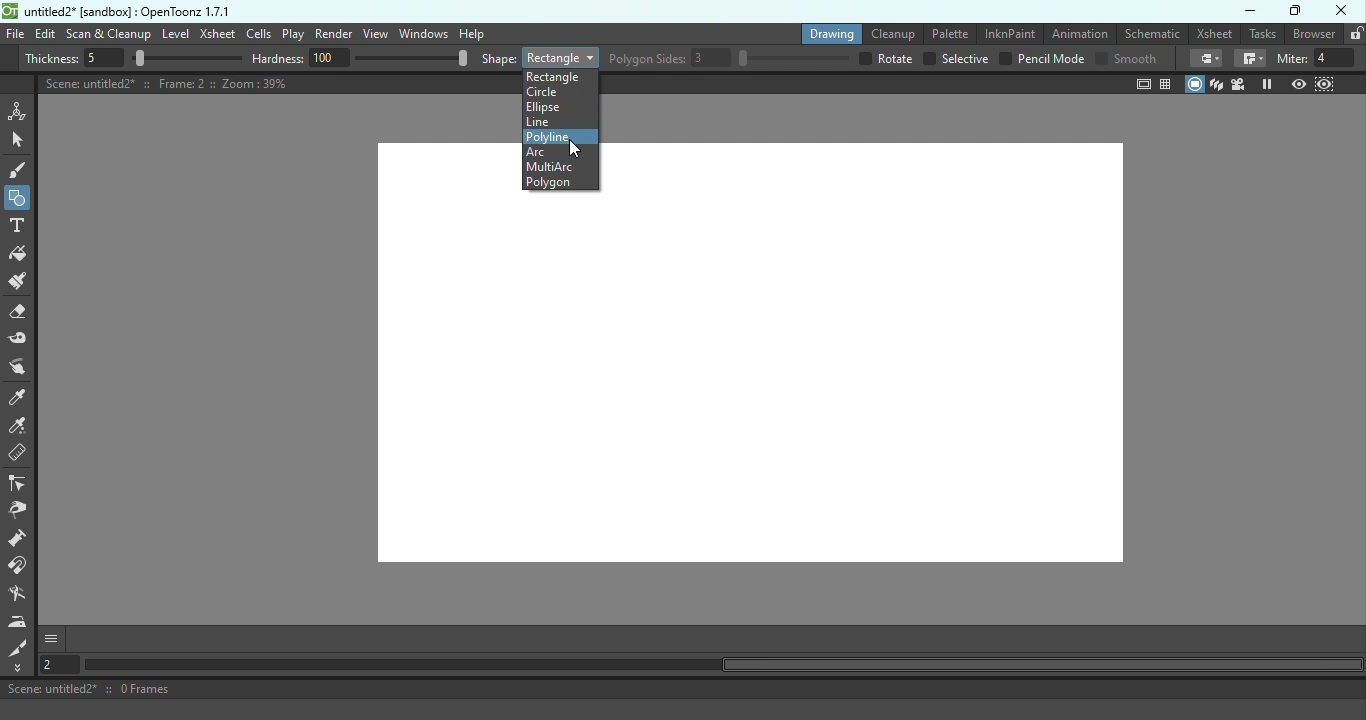 The image size is (1366, 720). Describe the element at coordinates (546, 92) in the screenshot. I see `Circle` at that location.